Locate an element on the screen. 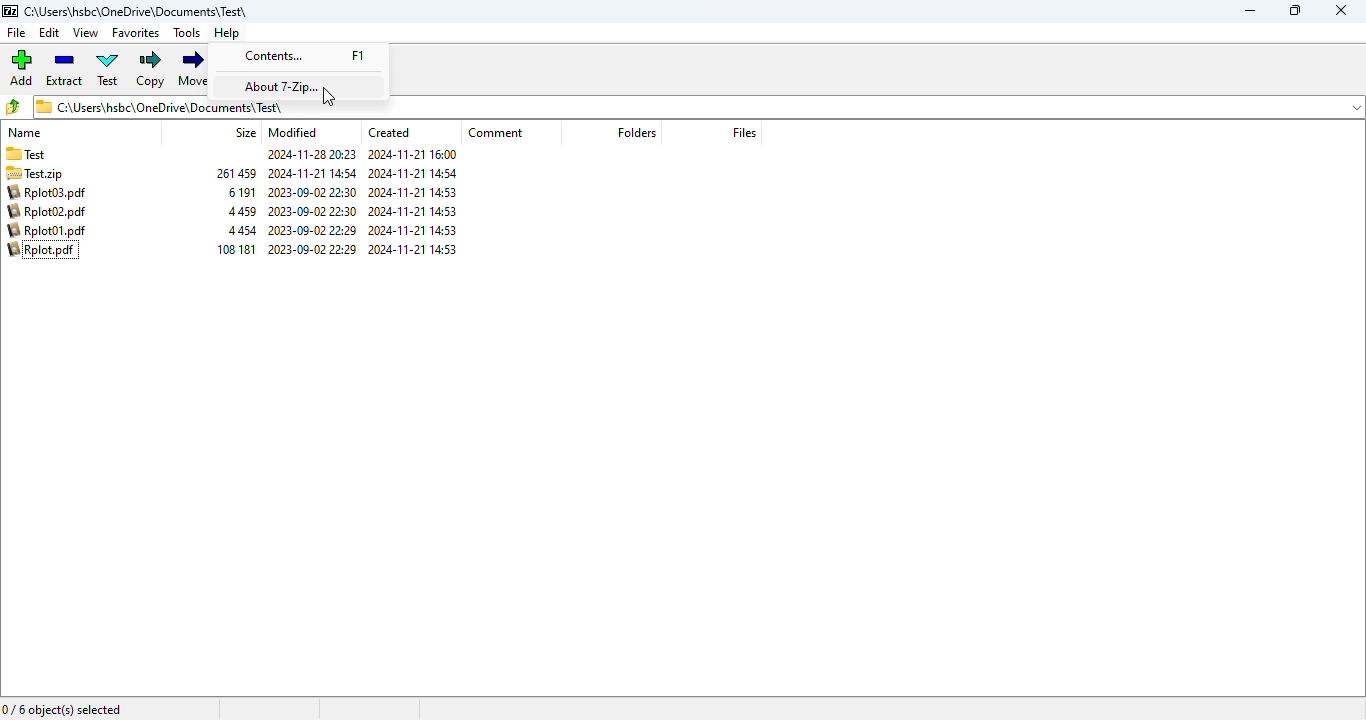 The image size is (1366, 720). move is located at coordinates (195, 67).